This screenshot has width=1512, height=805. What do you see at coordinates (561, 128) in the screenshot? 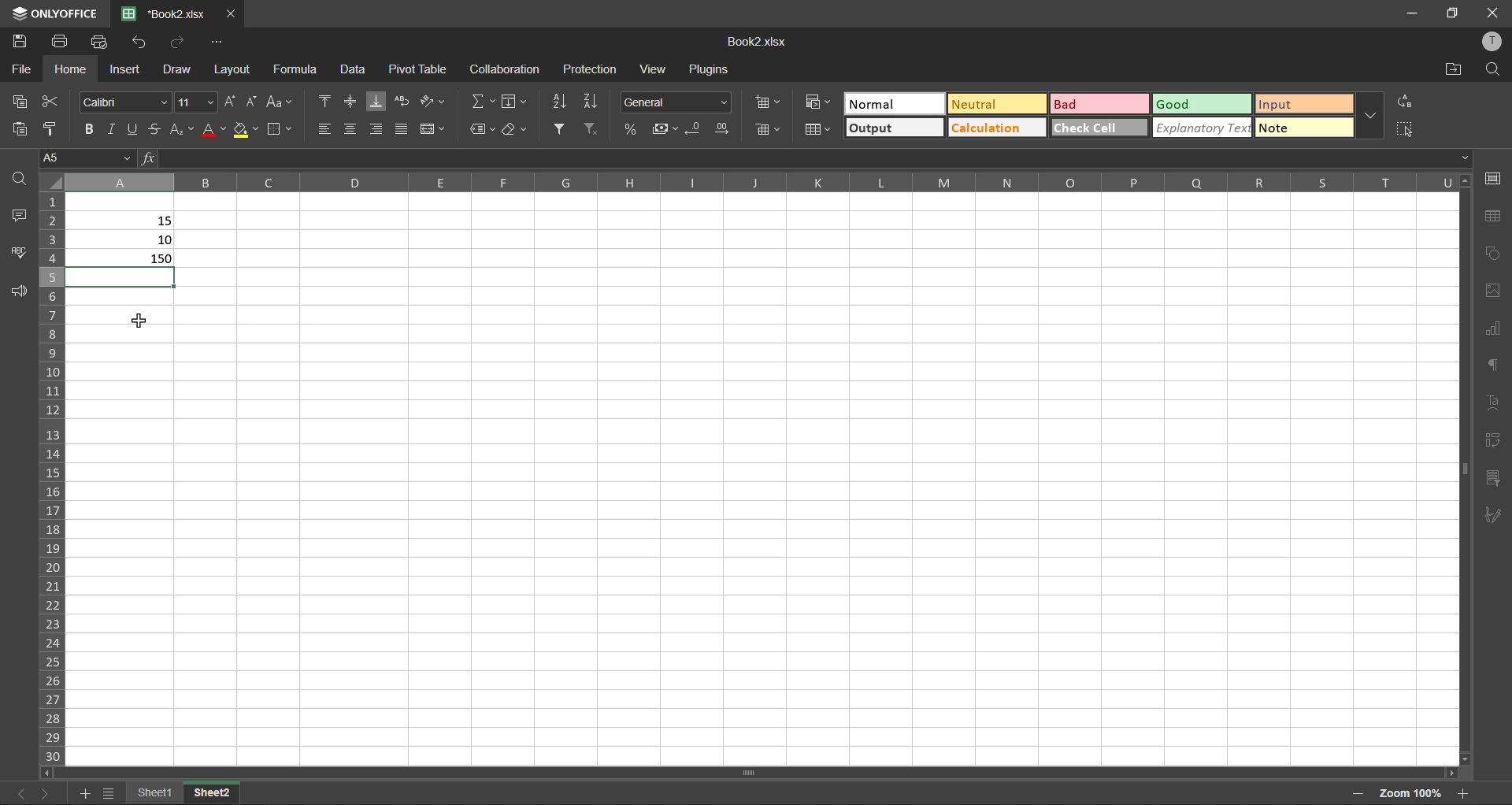
I see `filter` at bounding box center [561, 128].